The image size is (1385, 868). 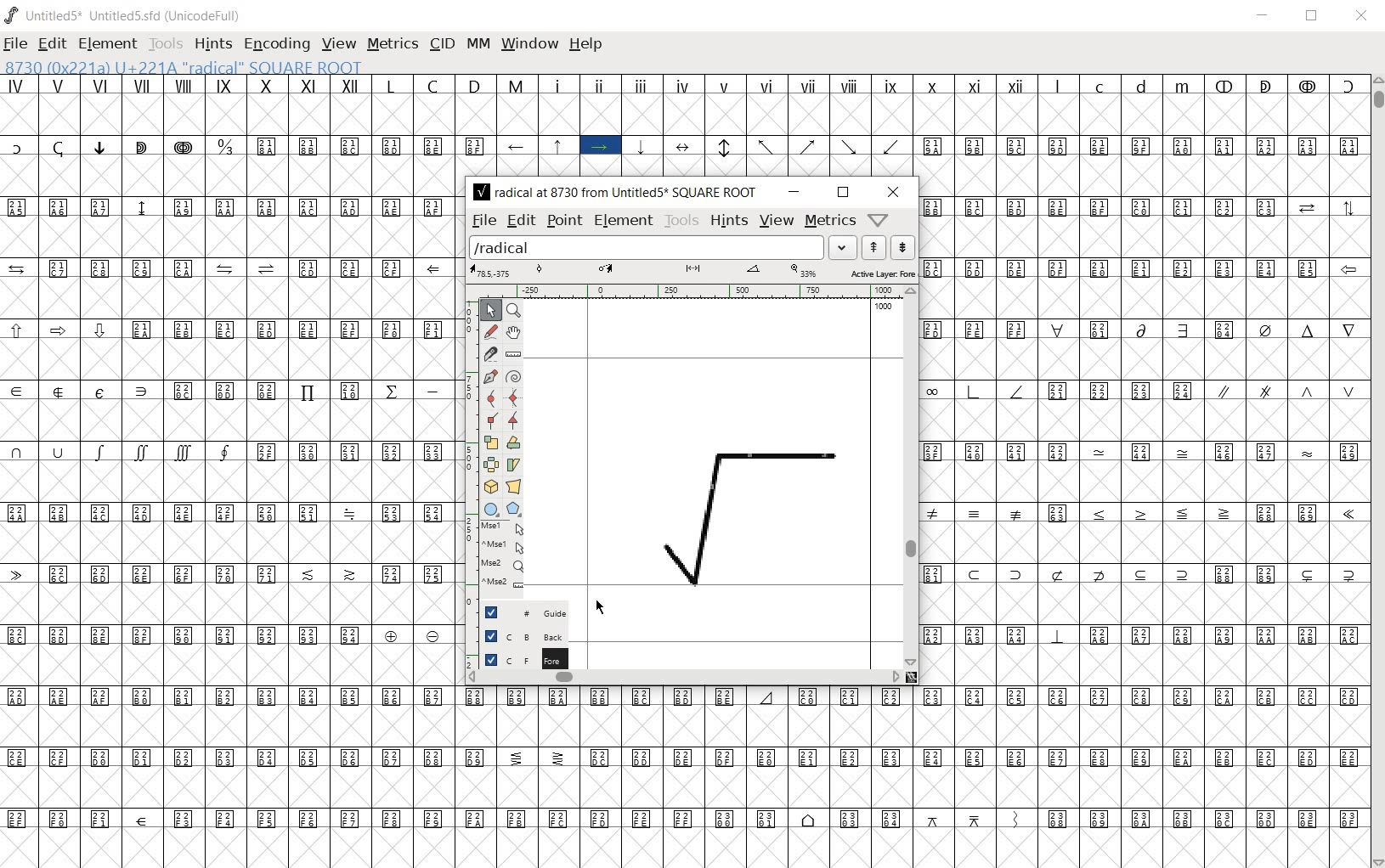 I want to click on measure a distance, angle between points, so click(x=515, y=352).